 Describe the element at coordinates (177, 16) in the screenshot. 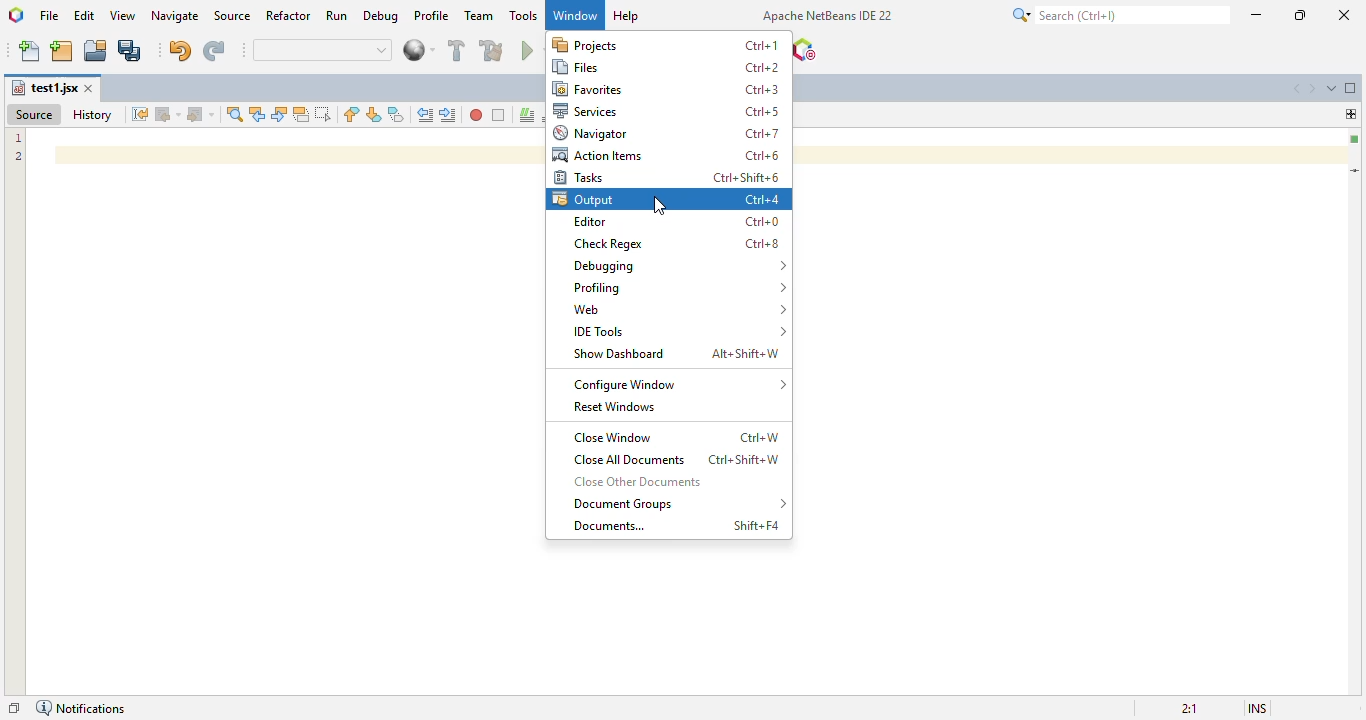

I see `navigate` at that location.